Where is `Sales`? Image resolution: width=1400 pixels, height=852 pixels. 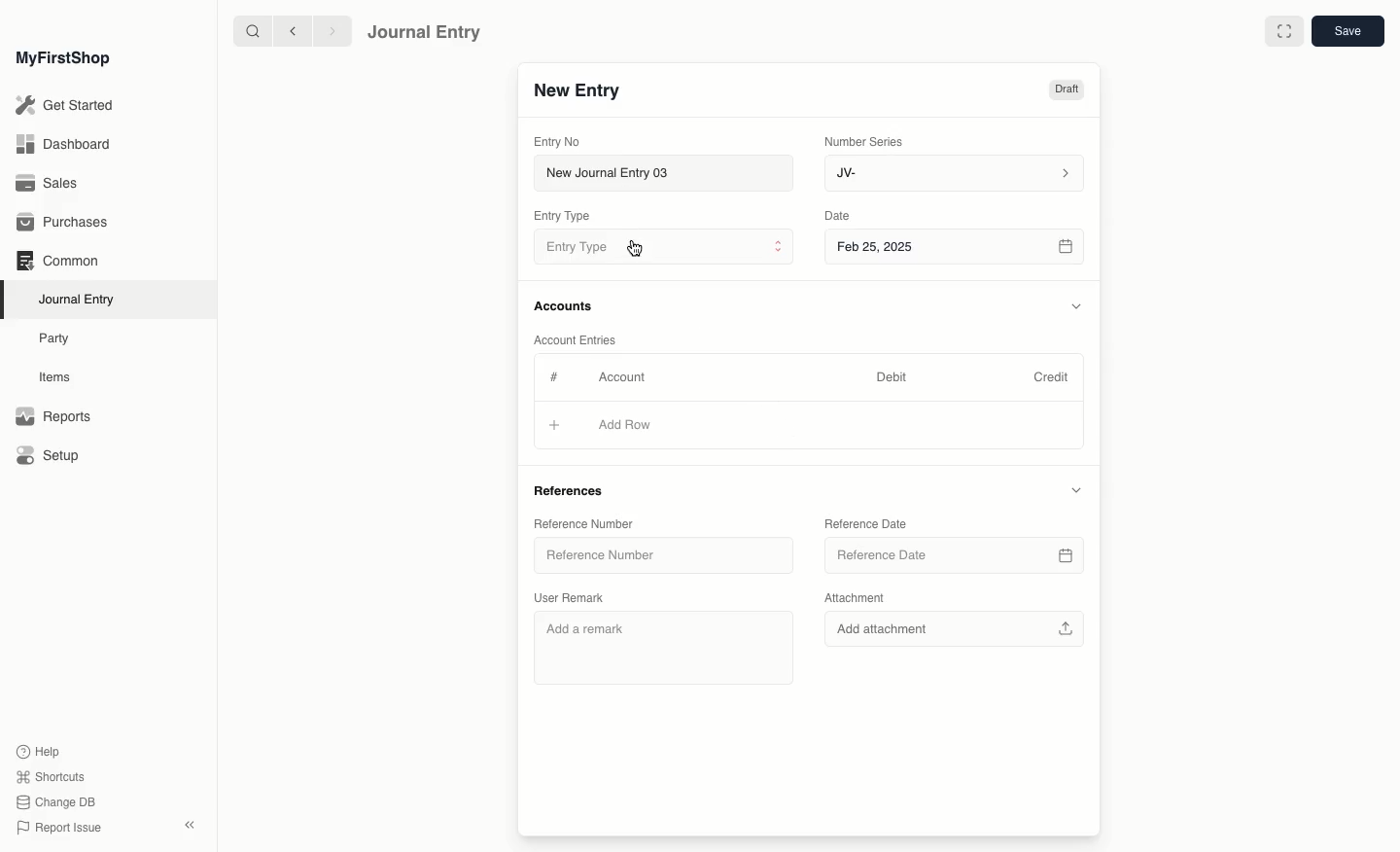
Sales is located at coordinates (48, 185).